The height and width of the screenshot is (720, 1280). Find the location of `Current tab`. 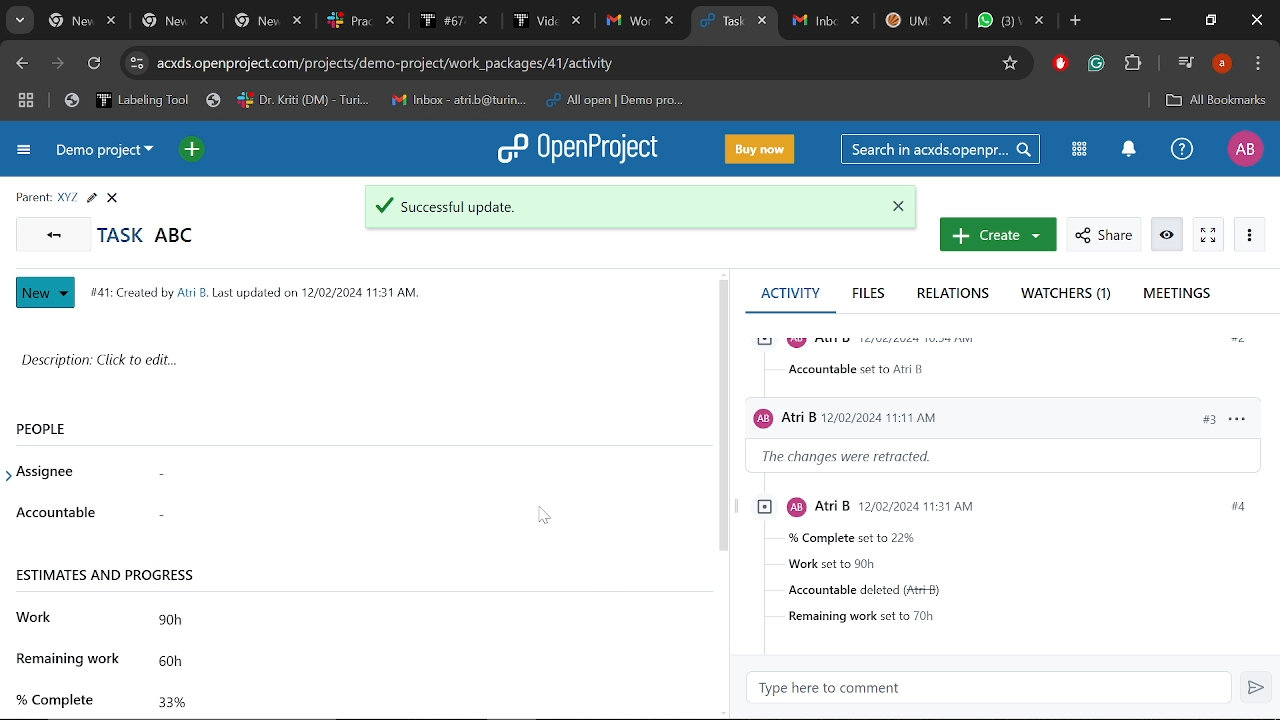

Current tab is located at coordinates (718, 22).